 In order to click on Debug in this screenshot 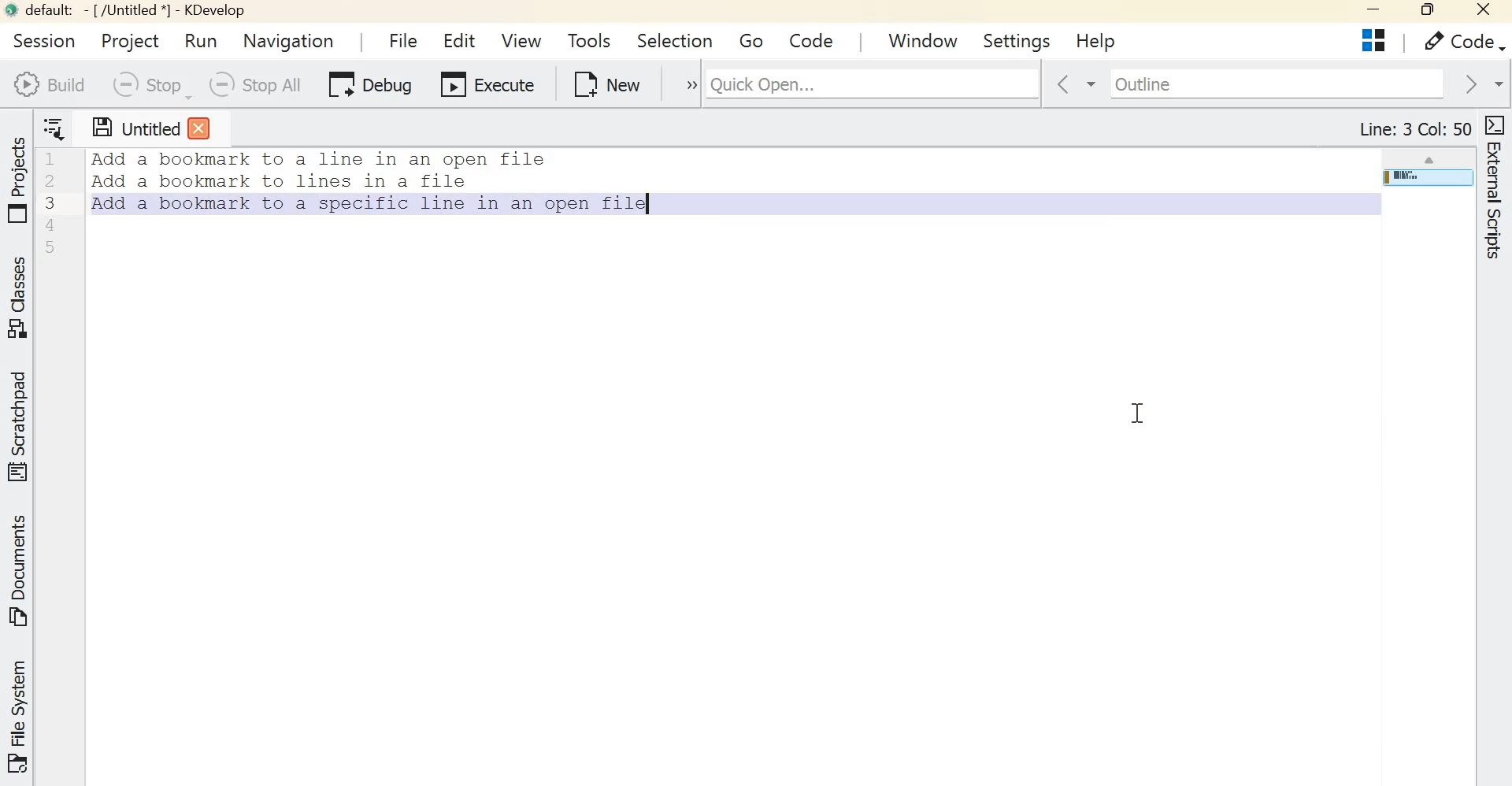, I will do `click(368, 83)`.